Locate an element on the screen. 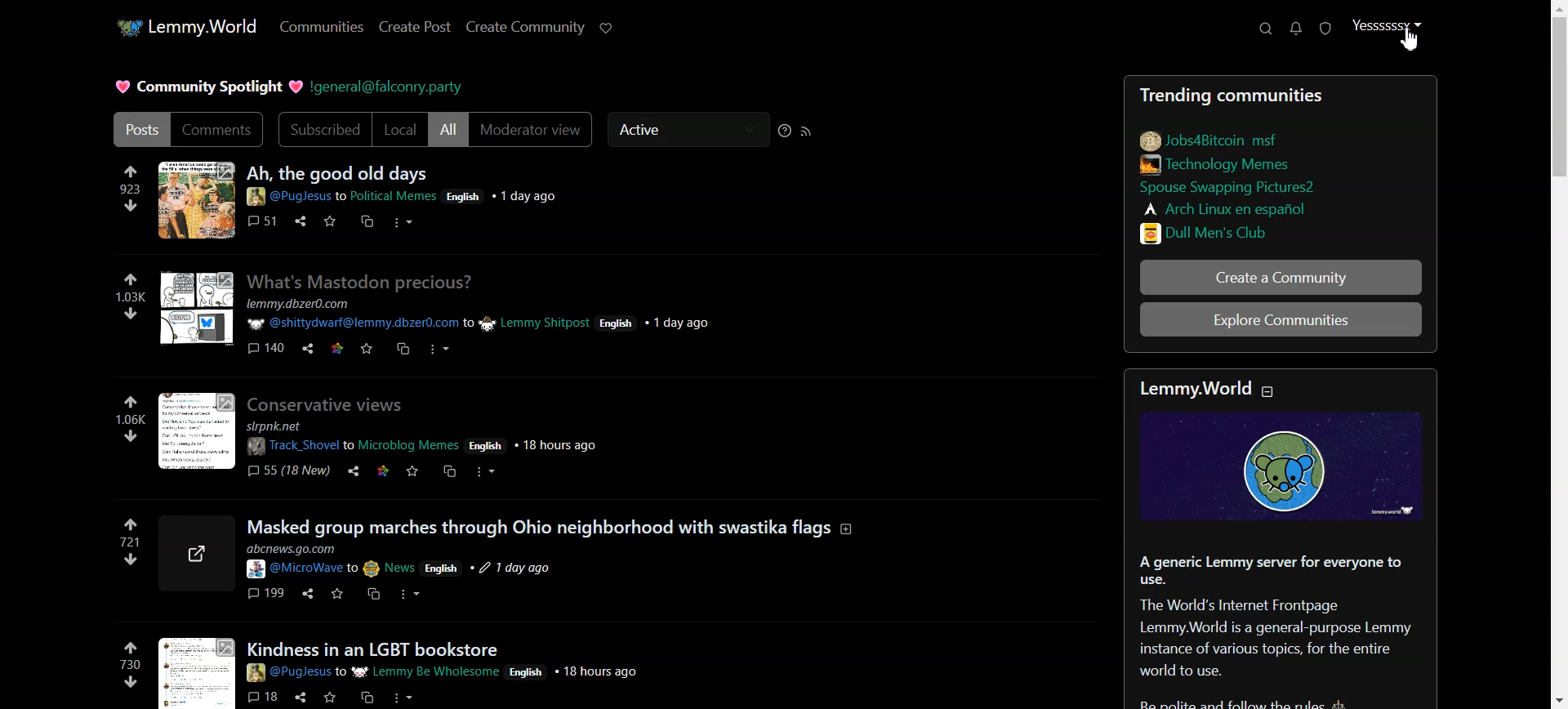 The height and width of the screenshot is (709, 1568). Subscribed is located at coordinates (322, 129).